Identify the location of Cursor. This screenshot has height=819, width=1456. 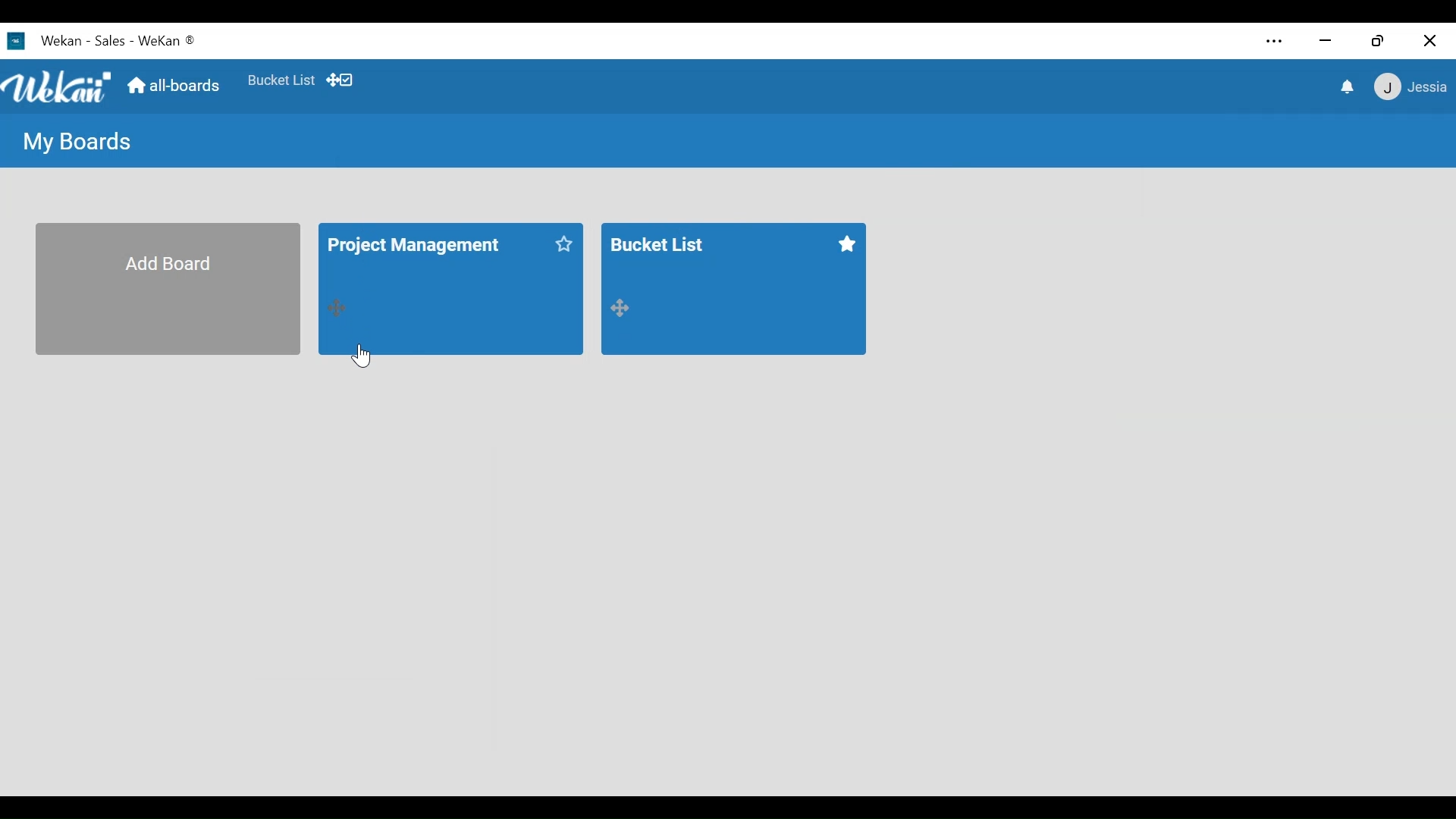
(358, 356).